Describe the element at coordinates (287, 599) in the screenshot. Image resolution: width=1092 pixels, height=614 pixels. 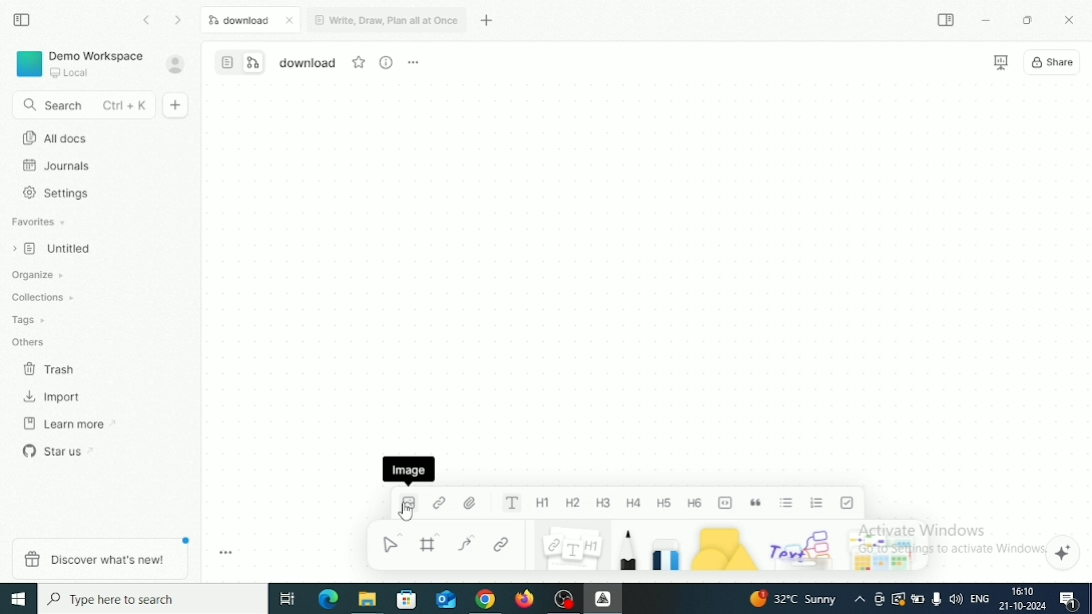
I see `Task View` at that location.